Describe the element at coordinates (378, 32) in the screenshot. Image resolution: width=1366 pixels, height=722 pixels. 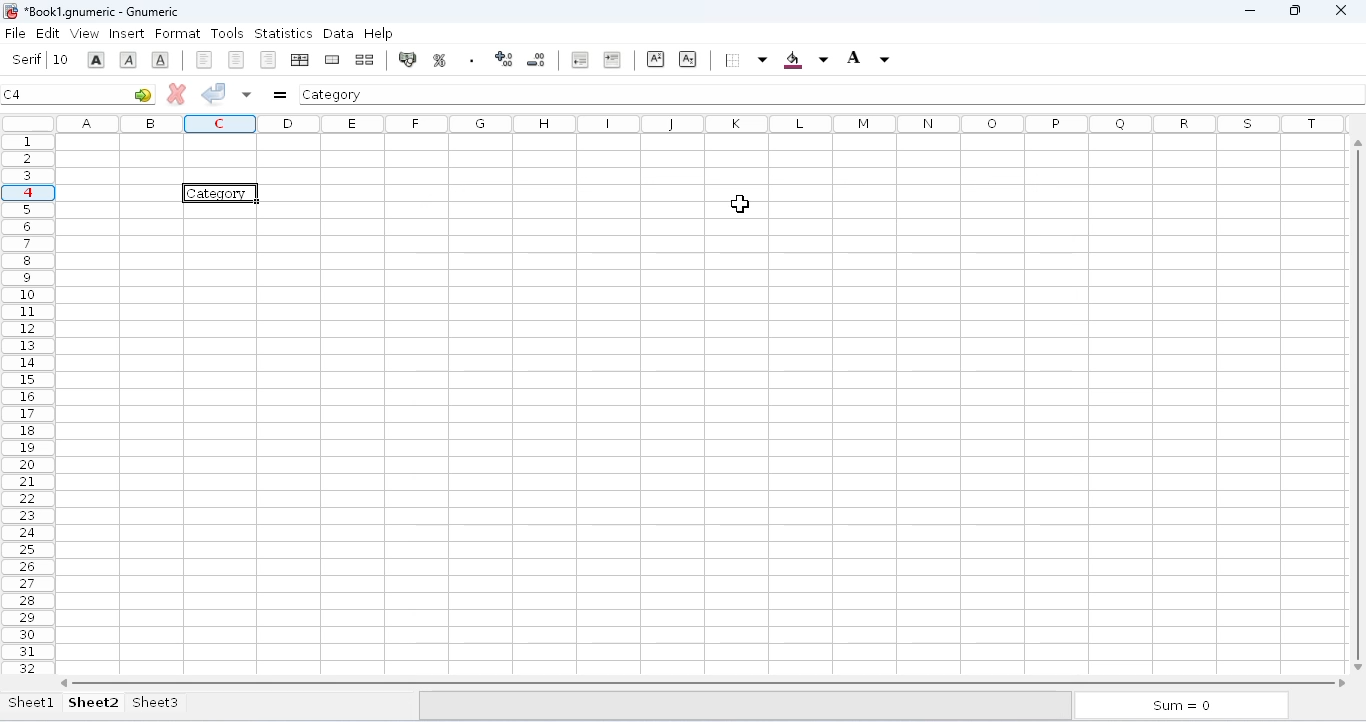
I see `help` at that location.